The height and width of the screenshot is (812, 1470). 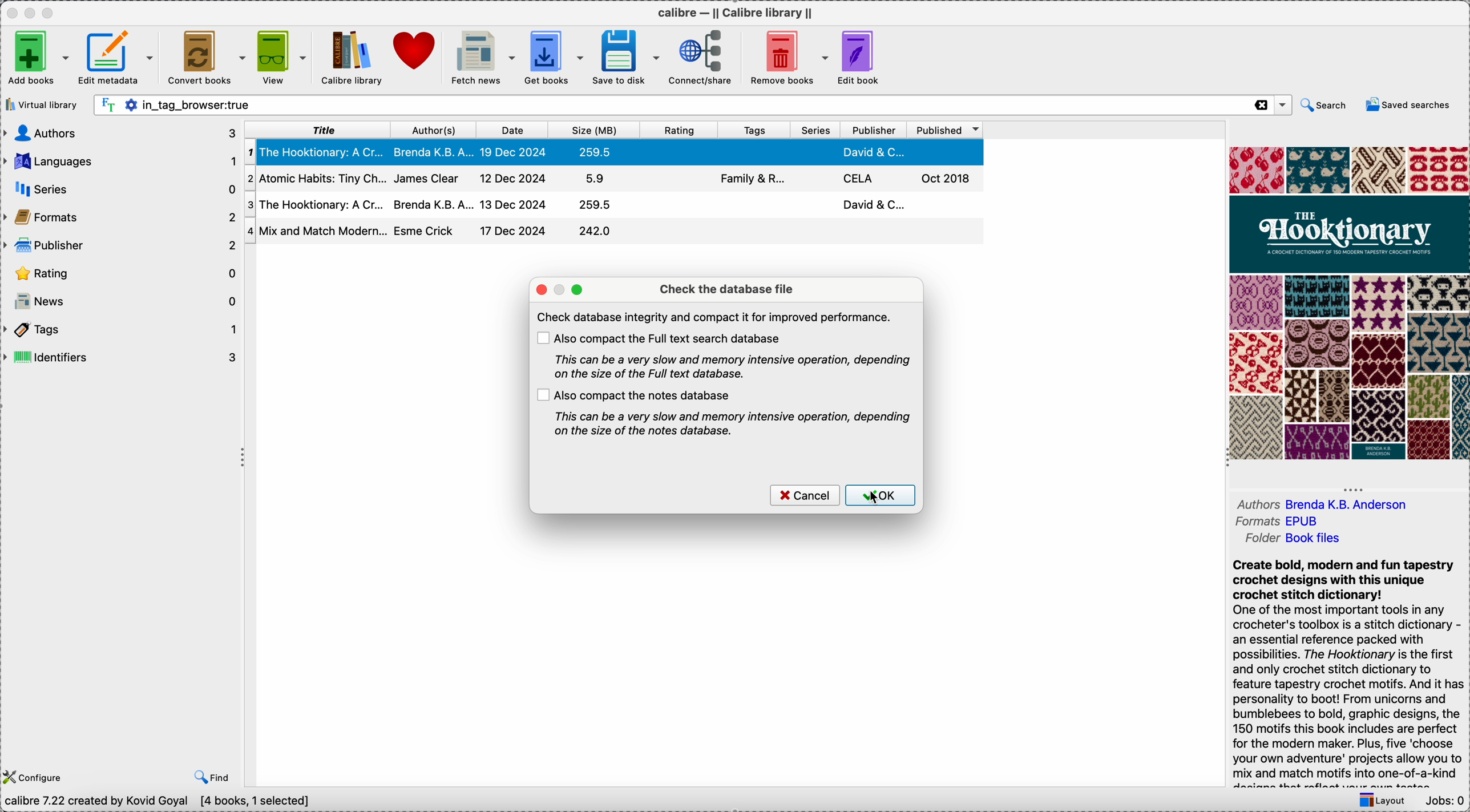 I want to click on folder, so click(x=1291, y=539).